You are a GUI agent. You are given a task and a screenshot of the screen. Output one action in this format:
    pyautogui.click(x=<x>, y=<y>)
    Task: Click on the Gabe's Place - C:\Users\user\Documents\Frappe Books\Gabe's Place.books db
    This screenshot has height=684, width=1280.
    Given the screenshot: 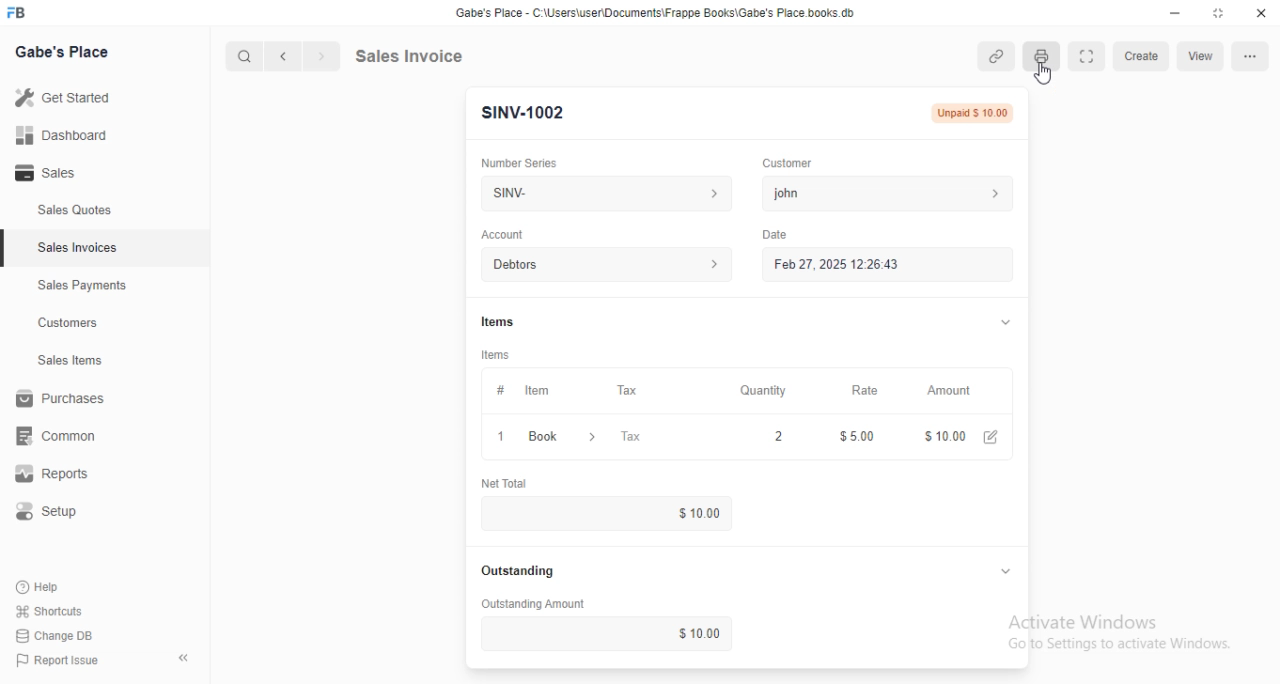 What is the action you would take?
    pyautogui.click(x=655, y=13)
    